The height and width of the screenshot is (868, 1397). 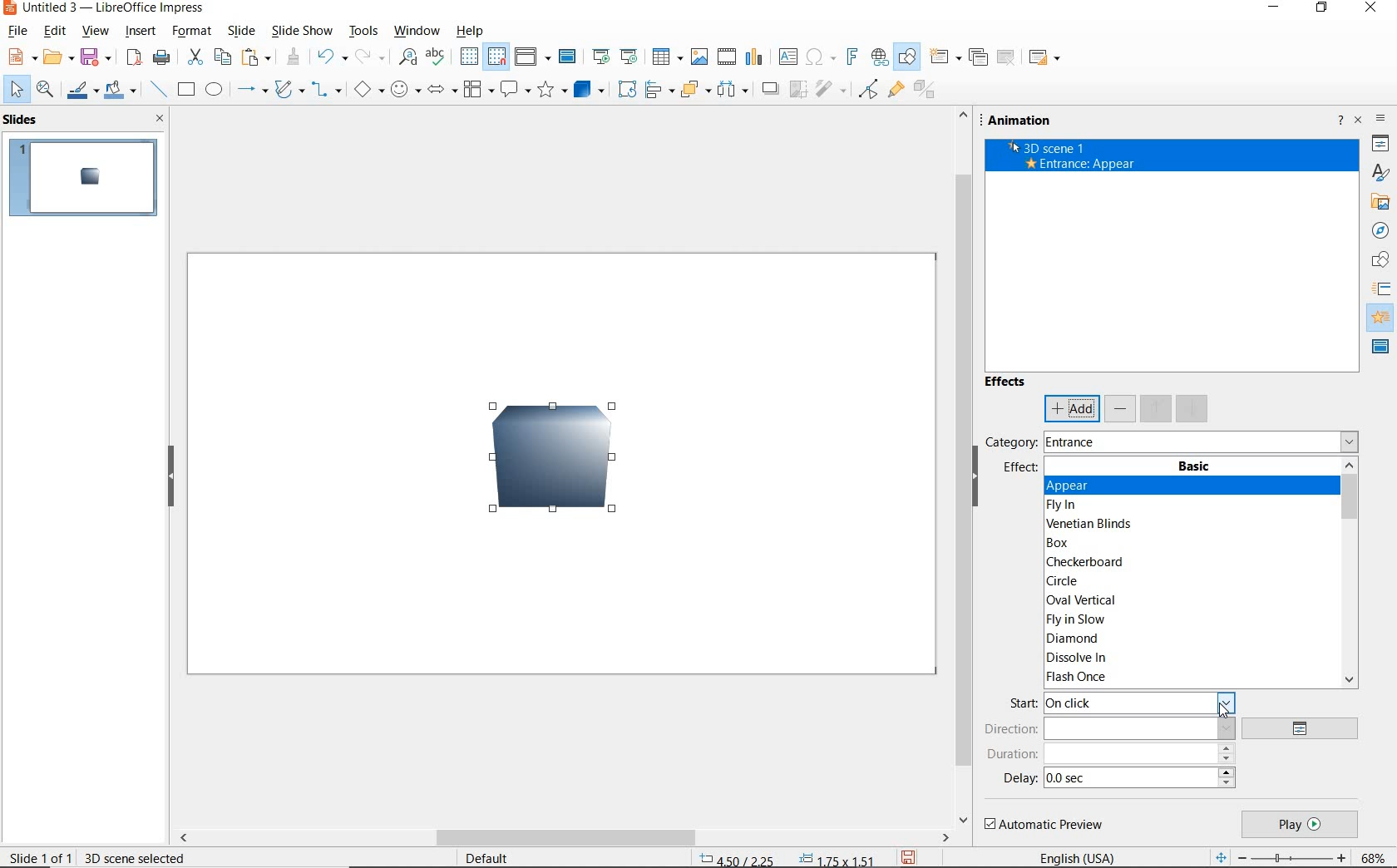 I want to click on line color, so click(x=81, y=91).